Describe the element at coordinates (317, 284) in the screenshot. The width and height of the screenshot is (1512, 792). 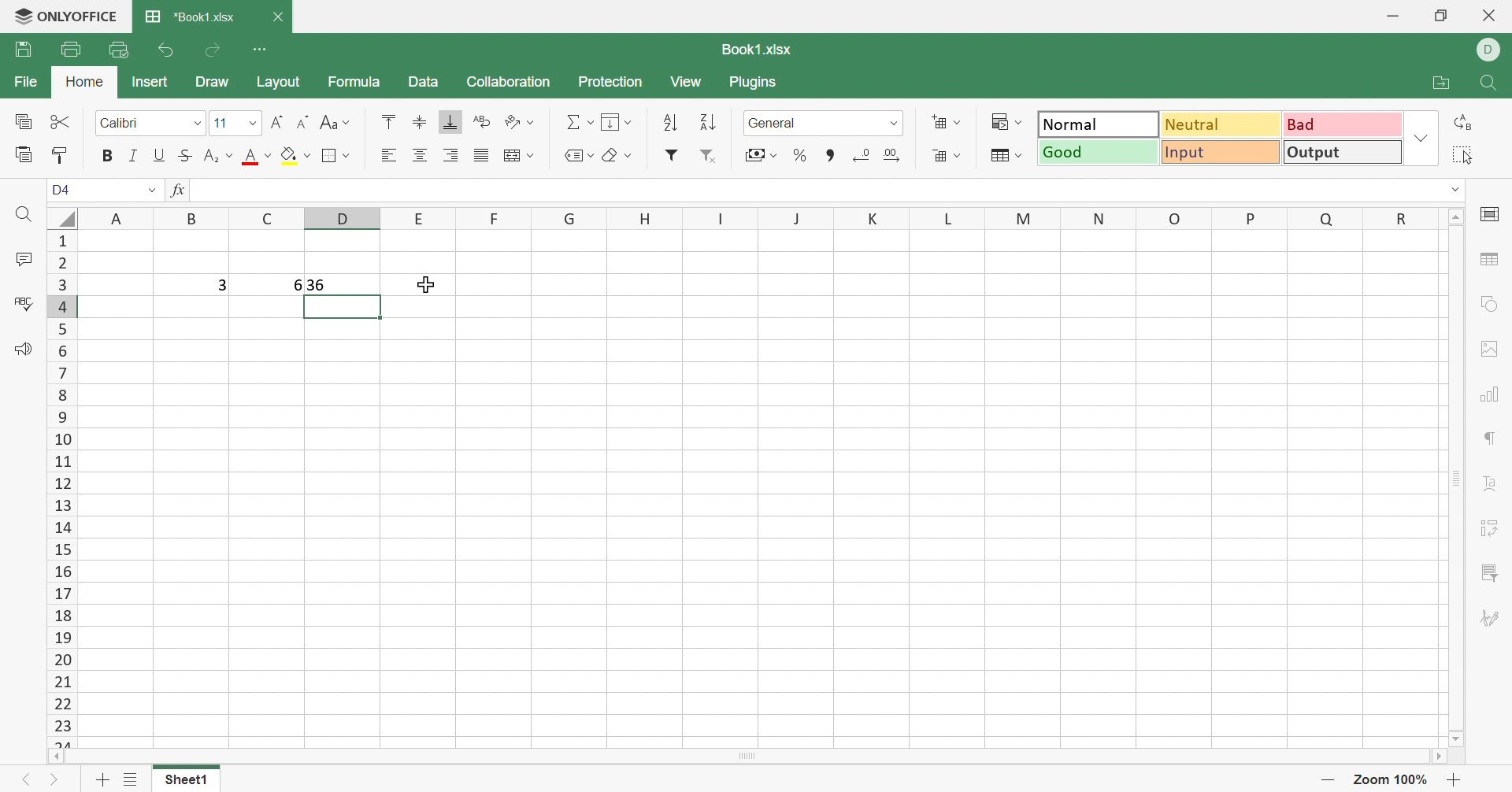
I see `36` at that location.